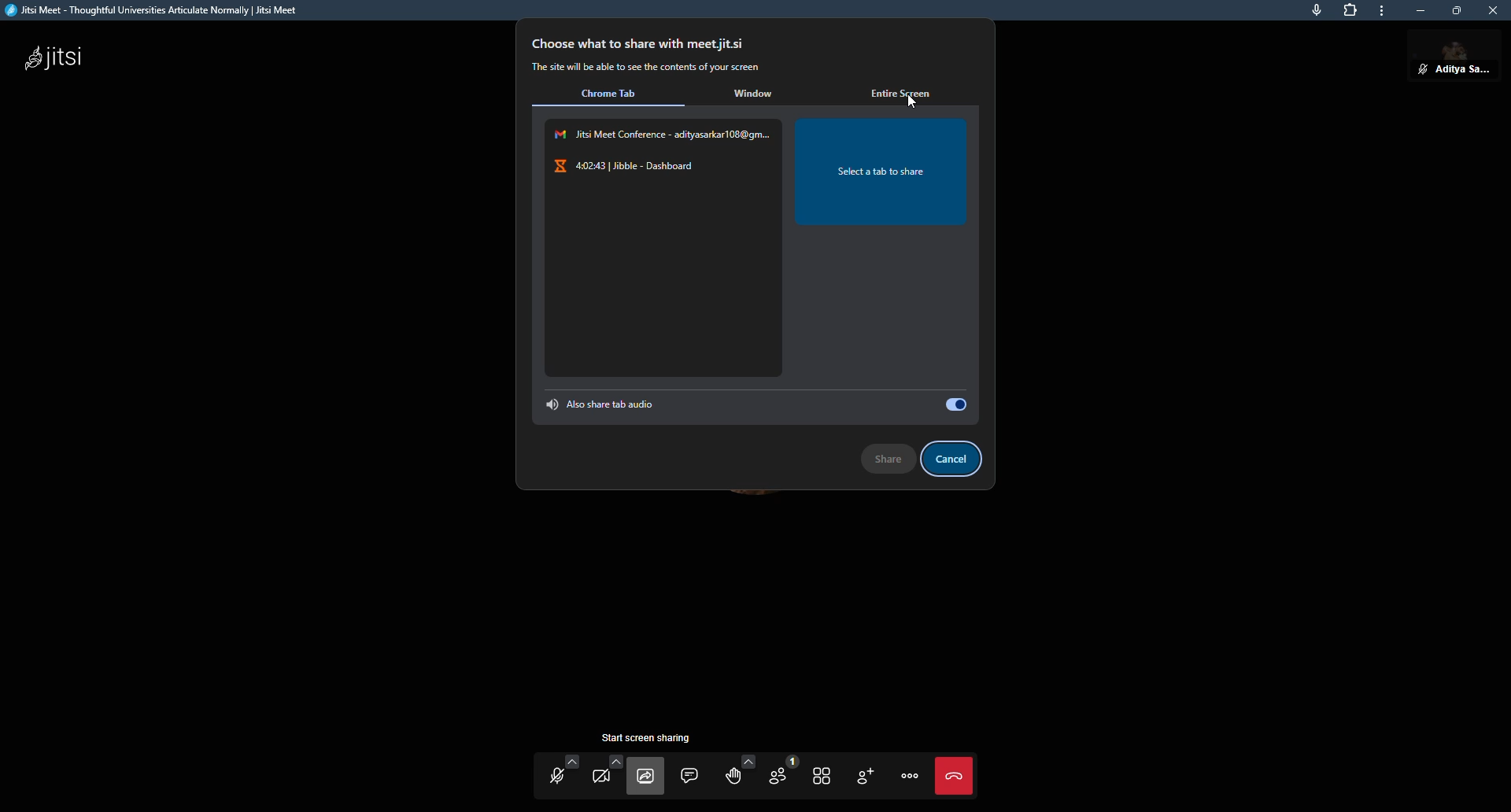 This screenshot has height=812, width=1511. What do you see at coordinates (648, 776) in the screenshot?
I see `start screen sharing` at bounding box center [648, 776].